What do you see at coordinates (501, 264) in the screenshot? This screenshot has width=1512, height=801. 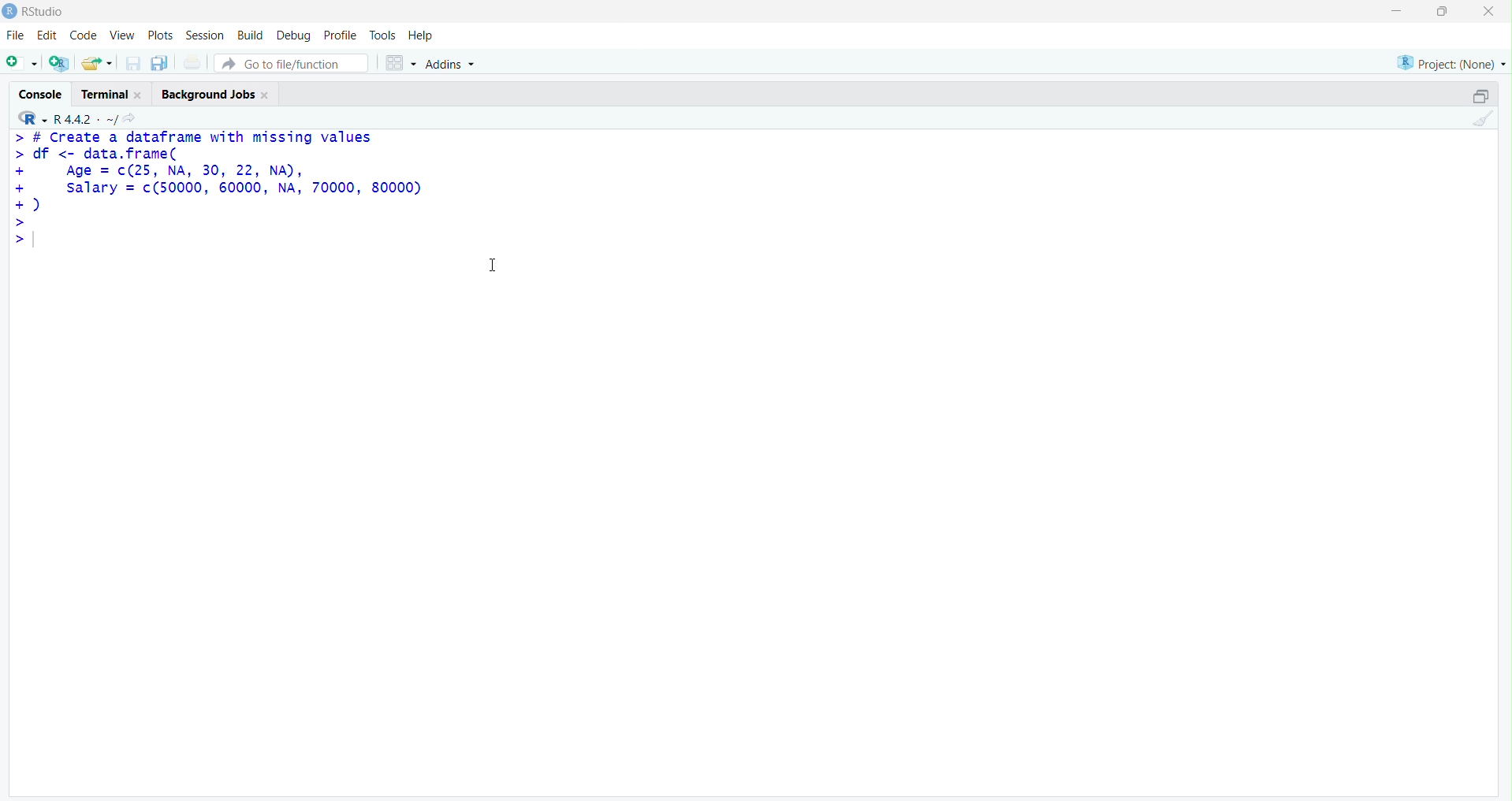 I see `Text cursor` at bounding box center [501, 264].